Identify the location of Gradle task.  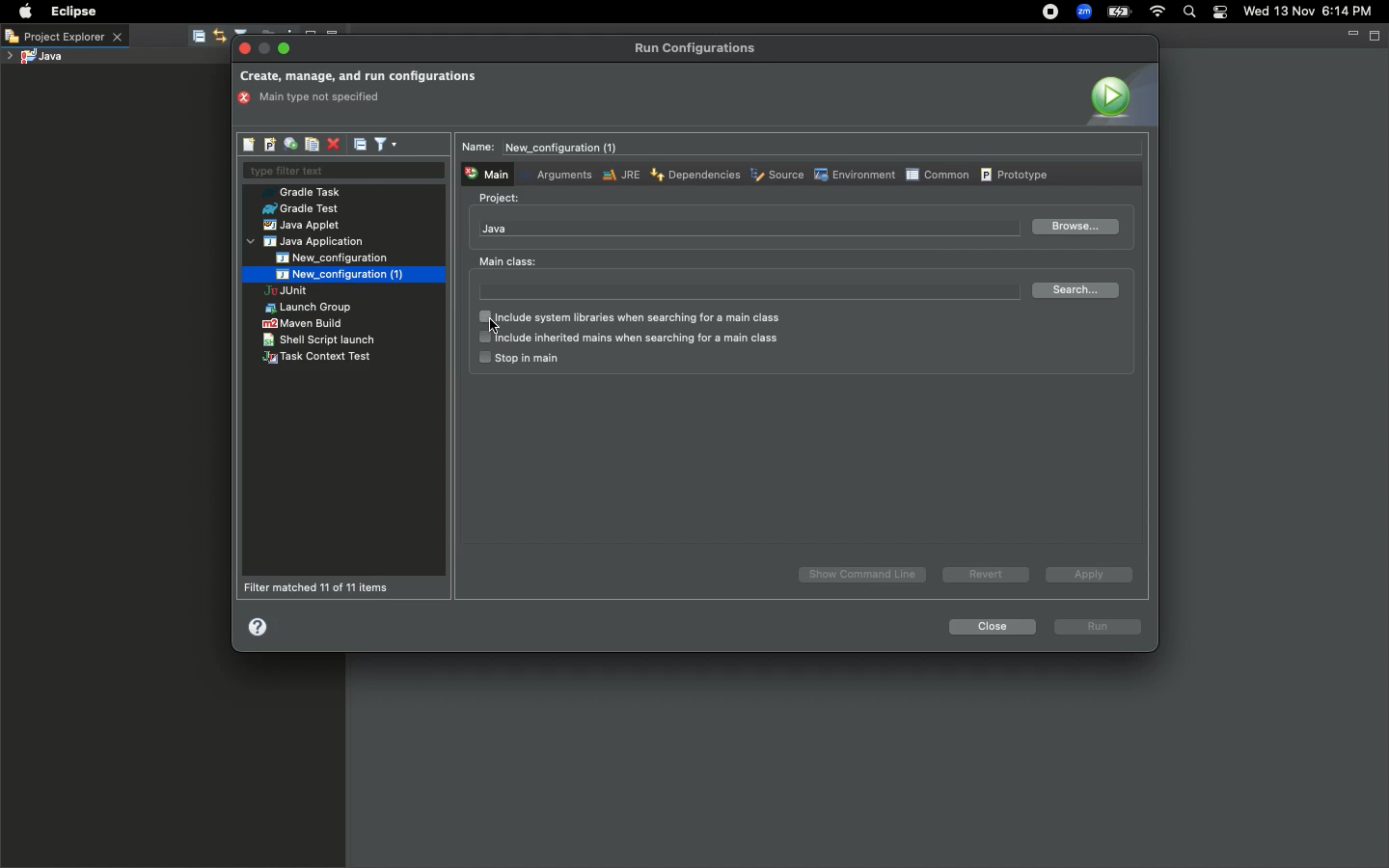
(308, 192).